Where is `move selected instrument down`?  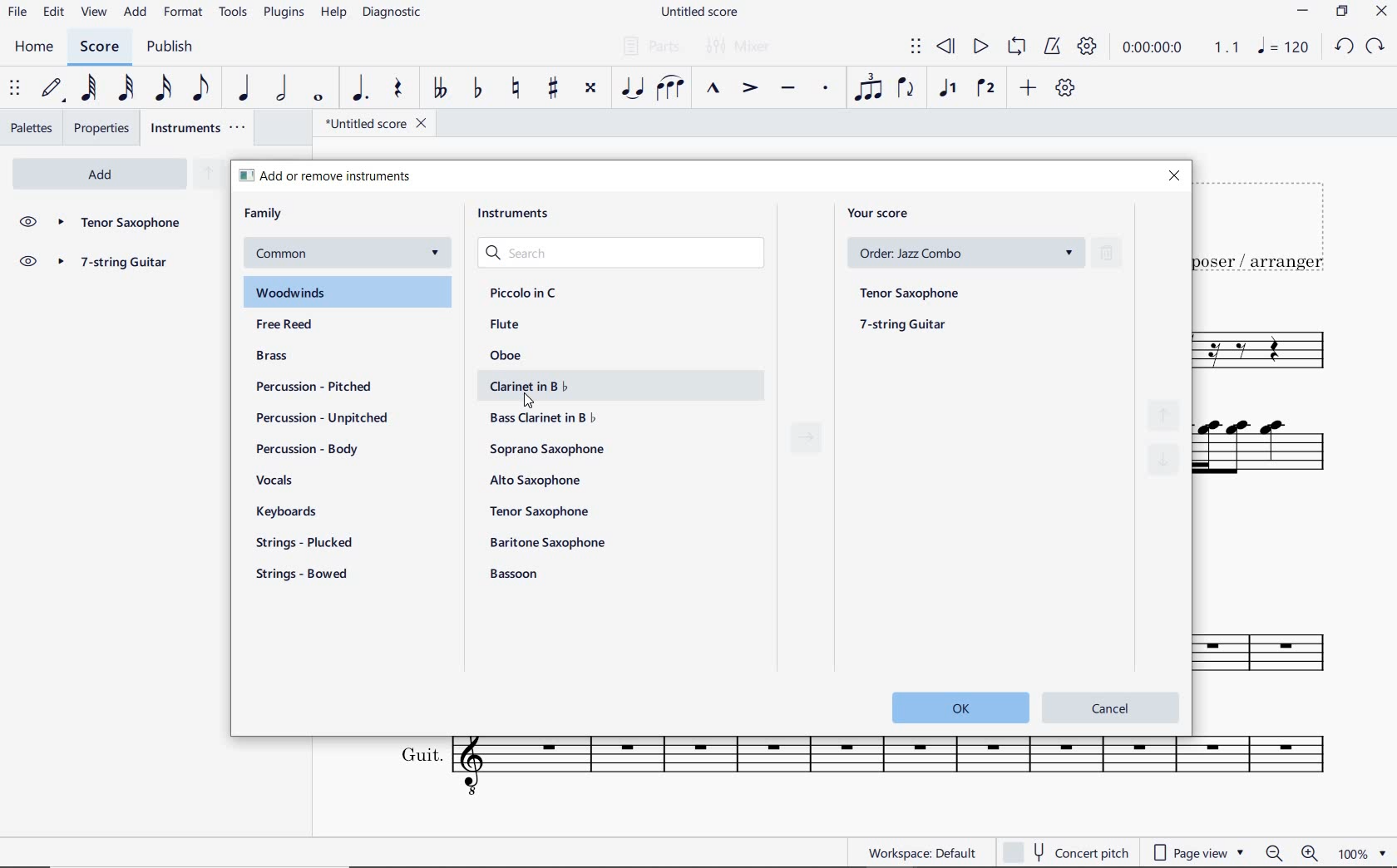
move selected instrument down is located at coordinates (1166, 456).